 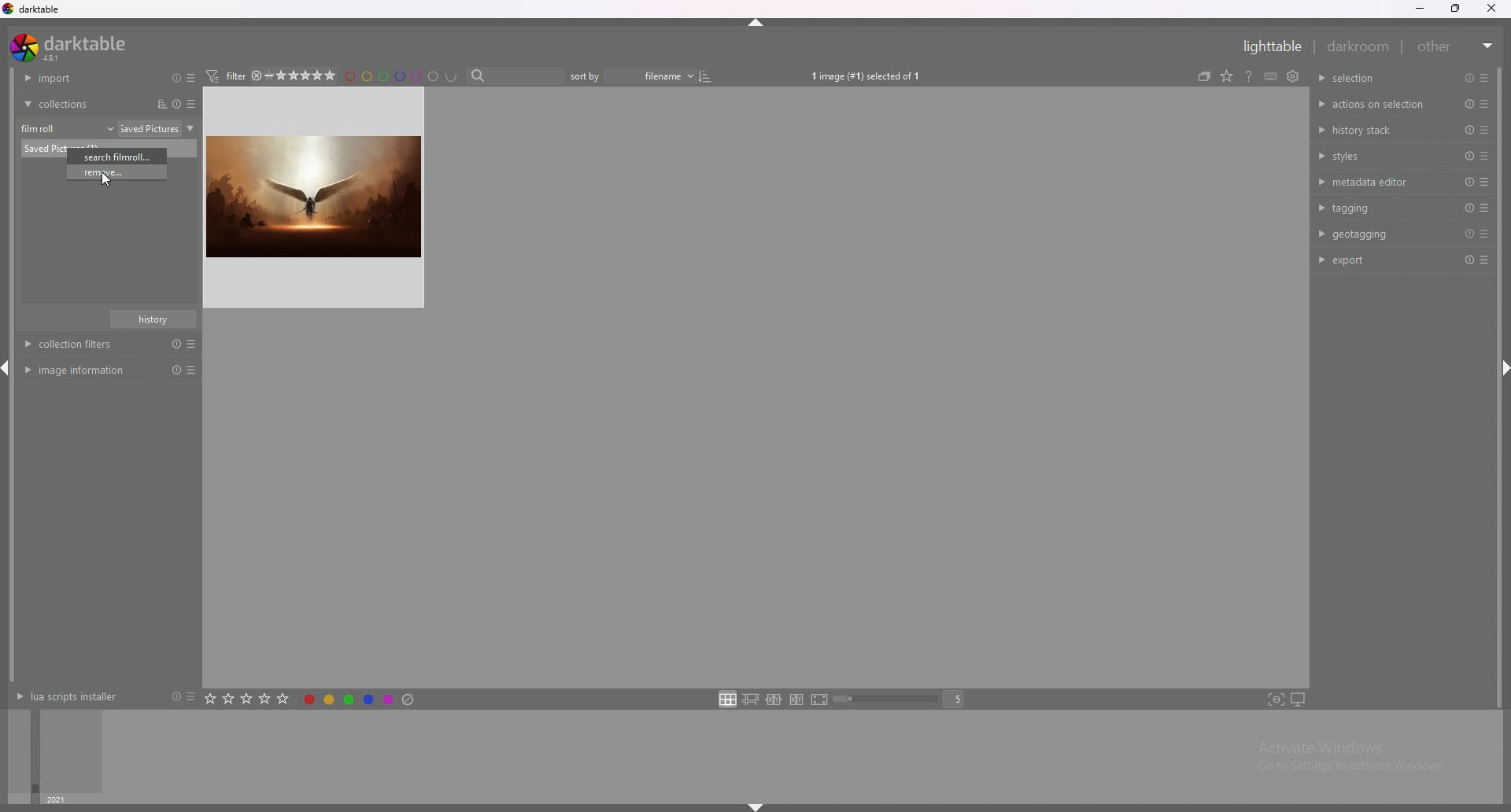 I want to click on star rating, so click(x=311, y=76).